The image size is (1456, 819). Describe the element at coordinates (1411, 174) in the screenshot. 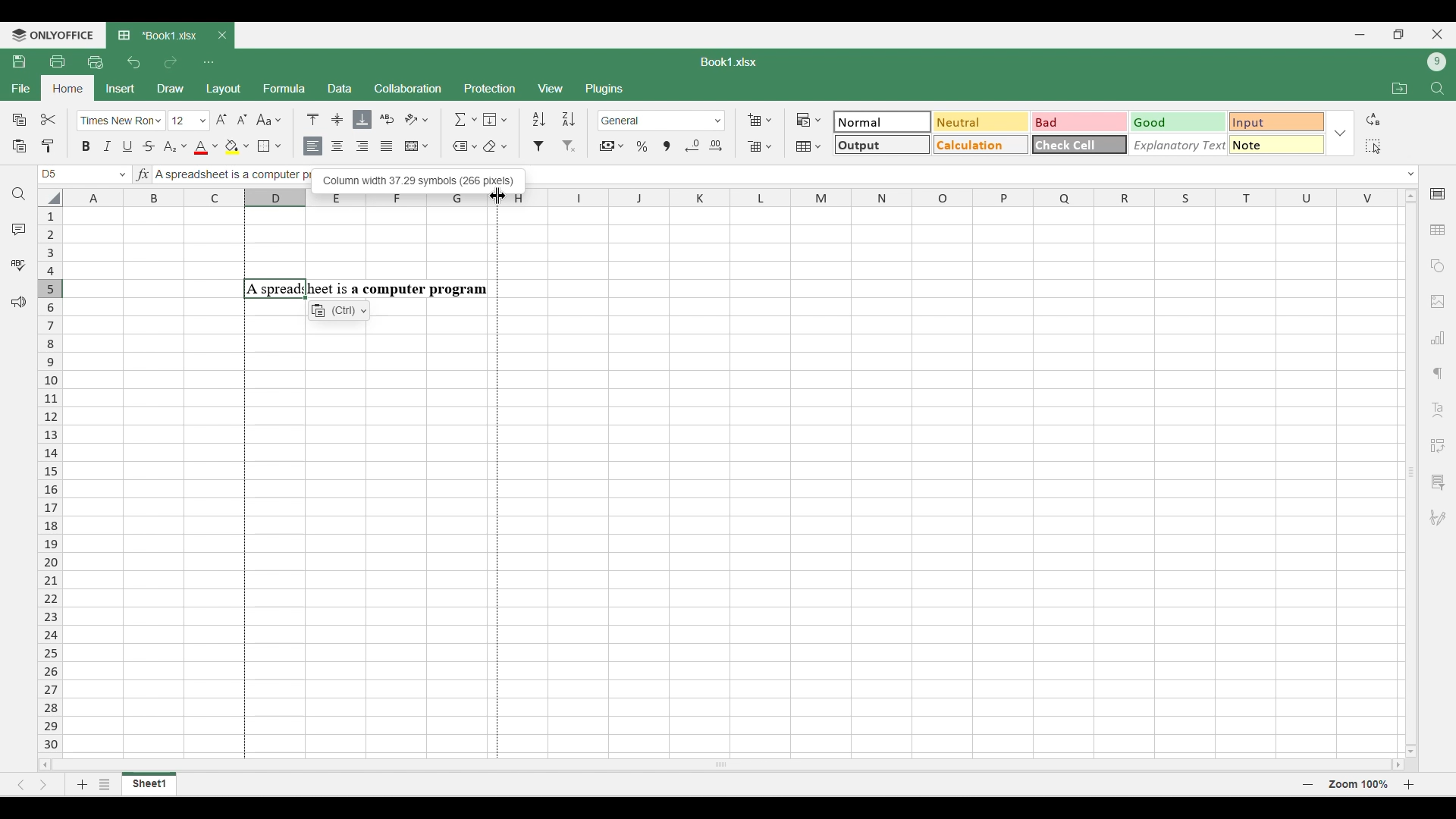

I see `Expand type space` at that location.